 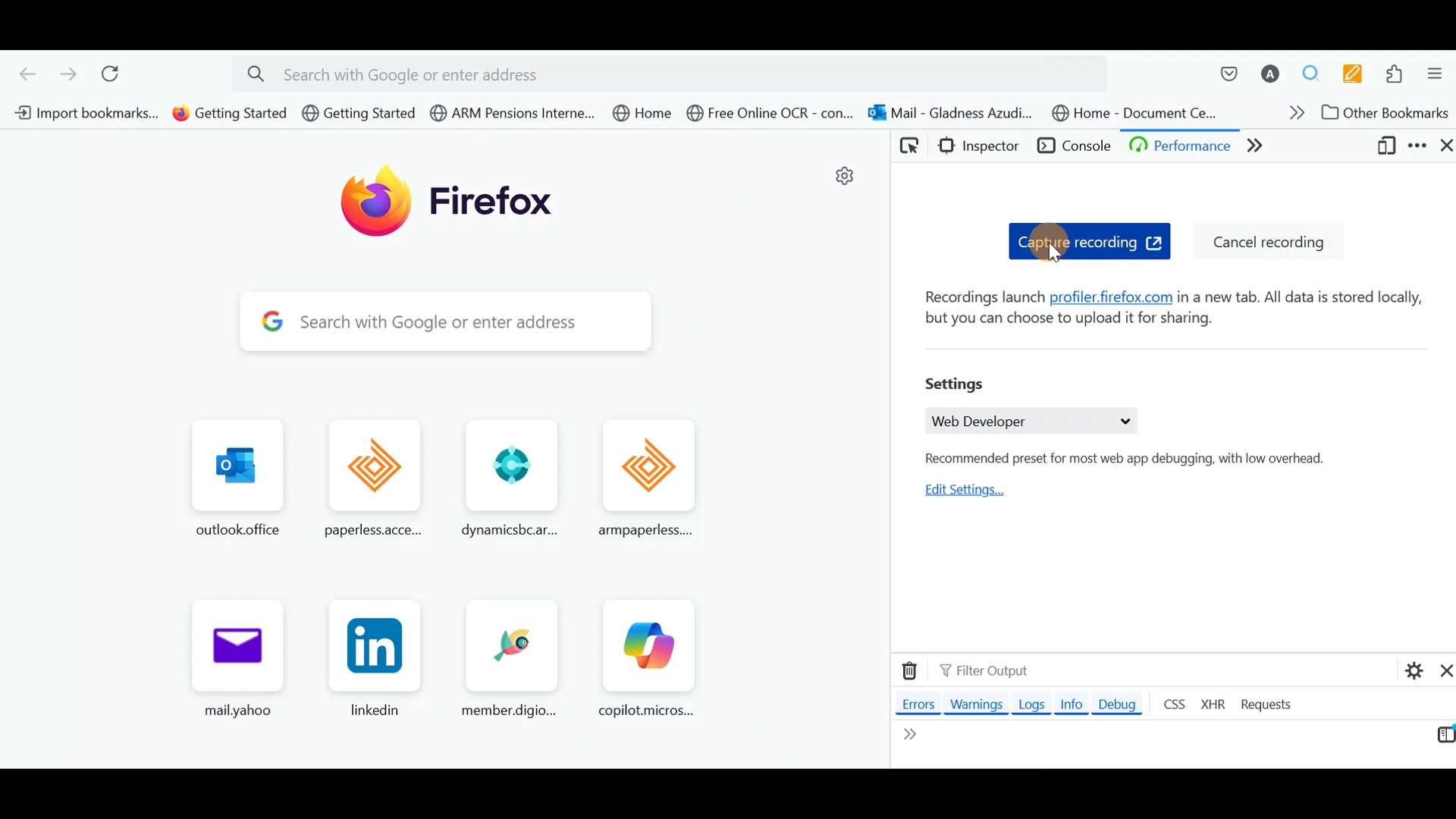 I want to click on Debug, so click(x=1123, y=704).